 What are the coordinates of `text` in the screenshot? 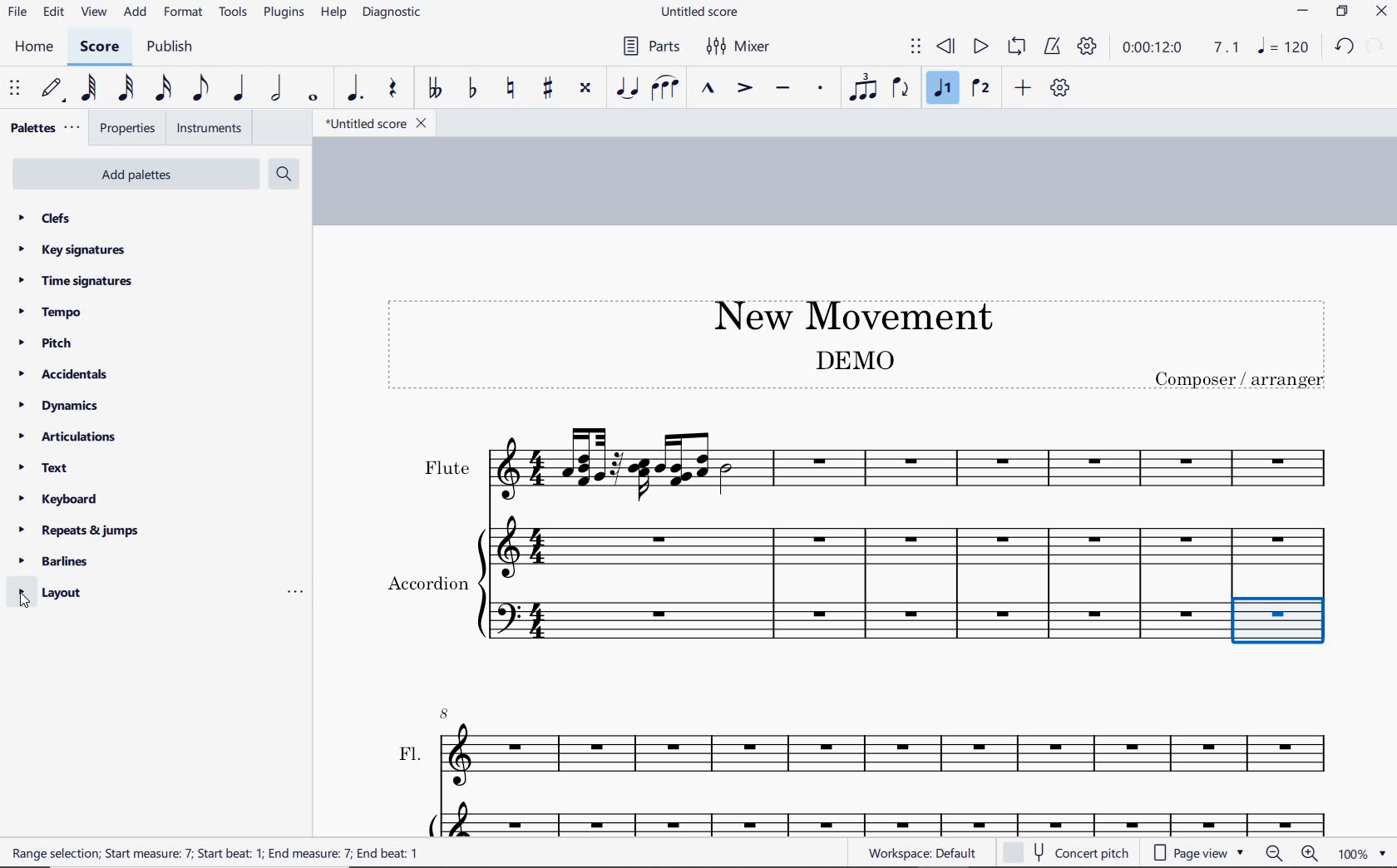 It's located at (1242, 379).